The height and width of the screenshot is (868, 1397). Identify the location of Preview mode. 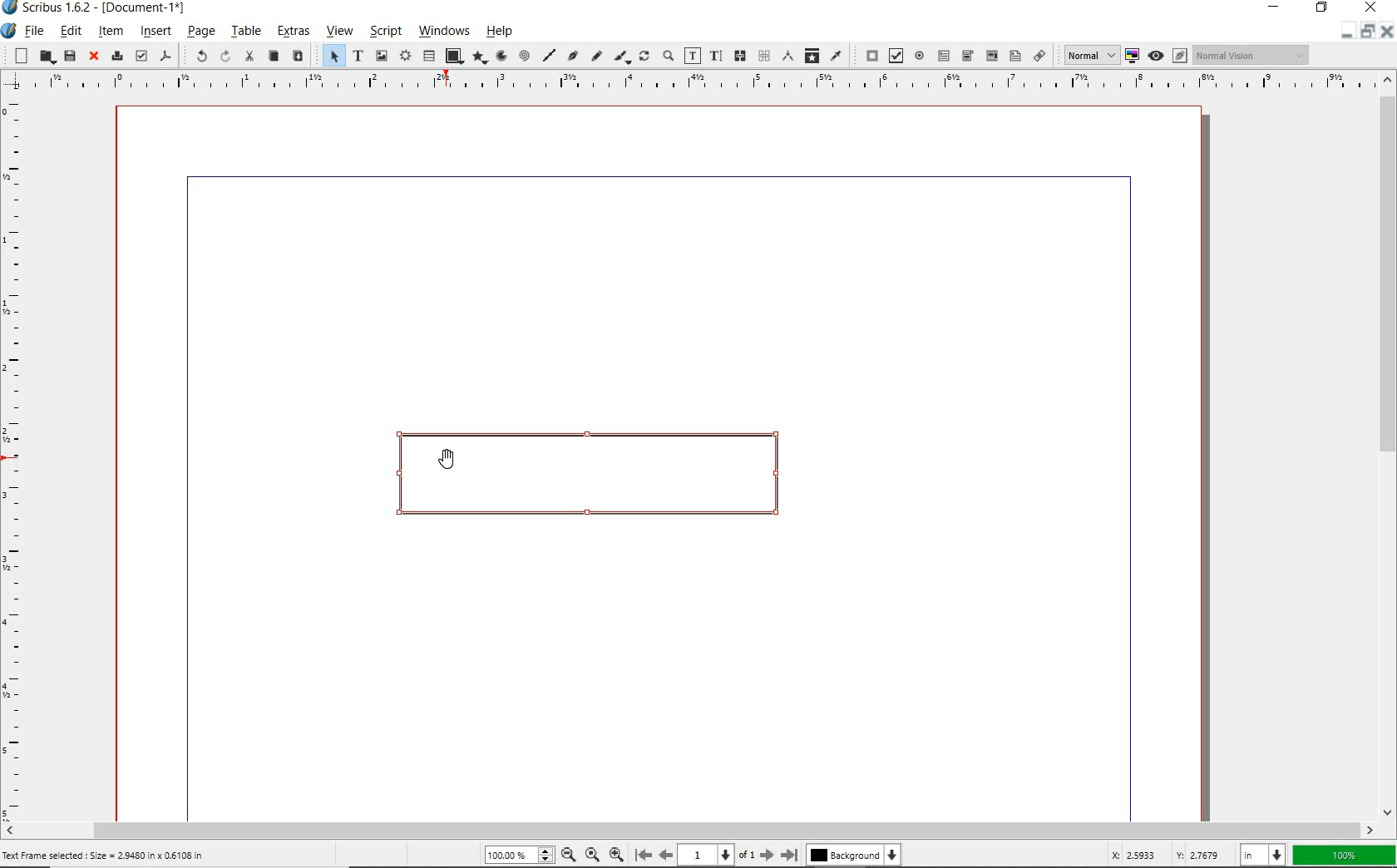
(1155, 55).